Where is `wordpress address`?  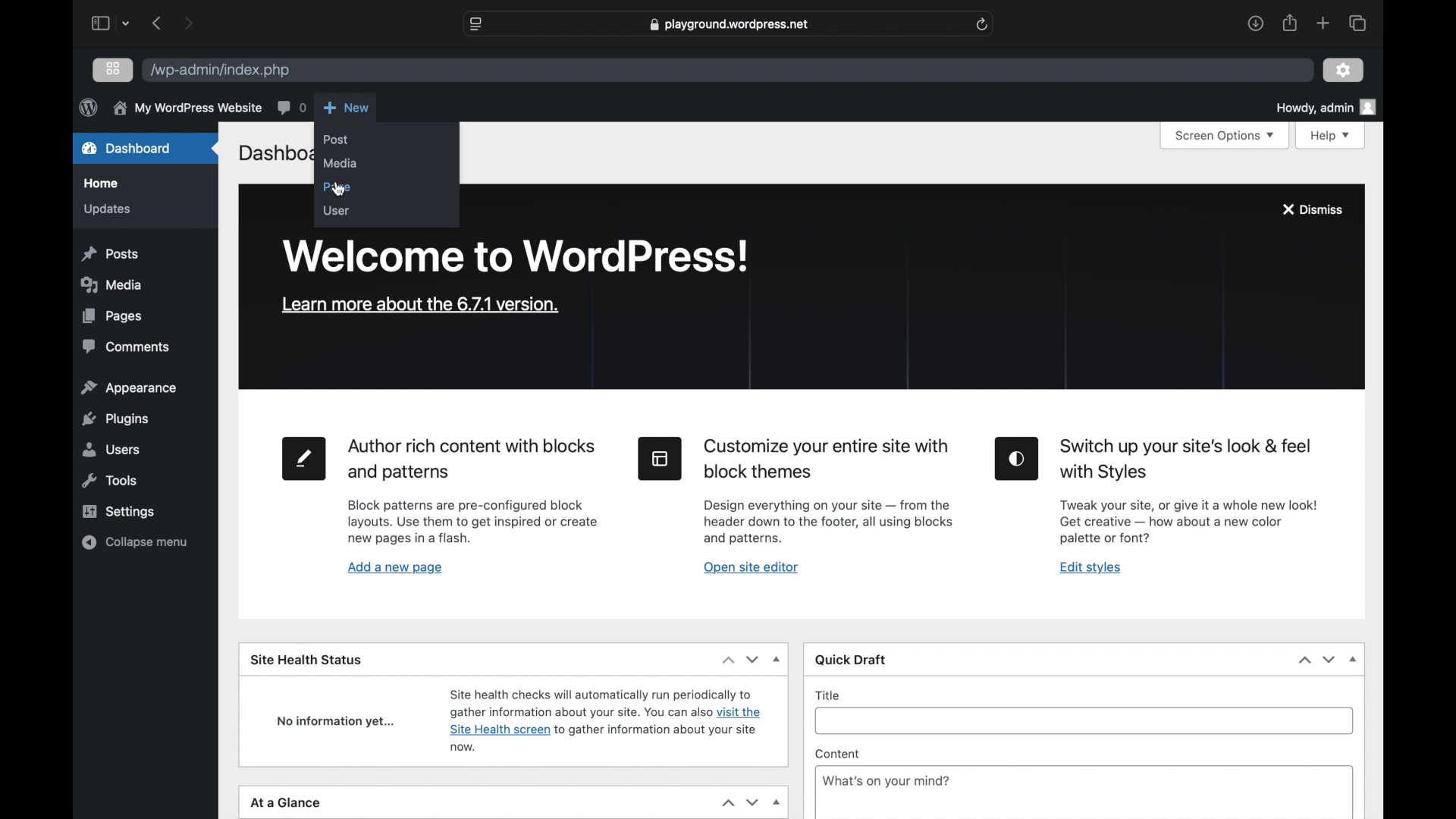
wordpress address is located at coordinates (221, 71).